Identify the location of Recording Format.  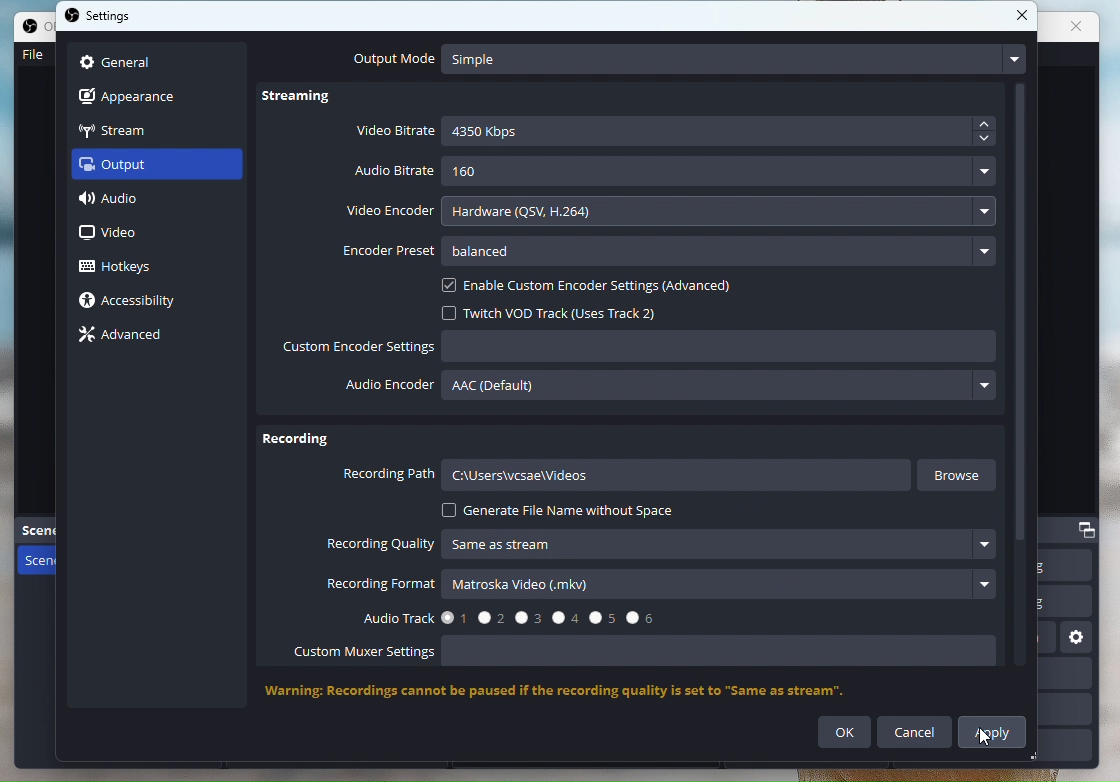
(661, 586).